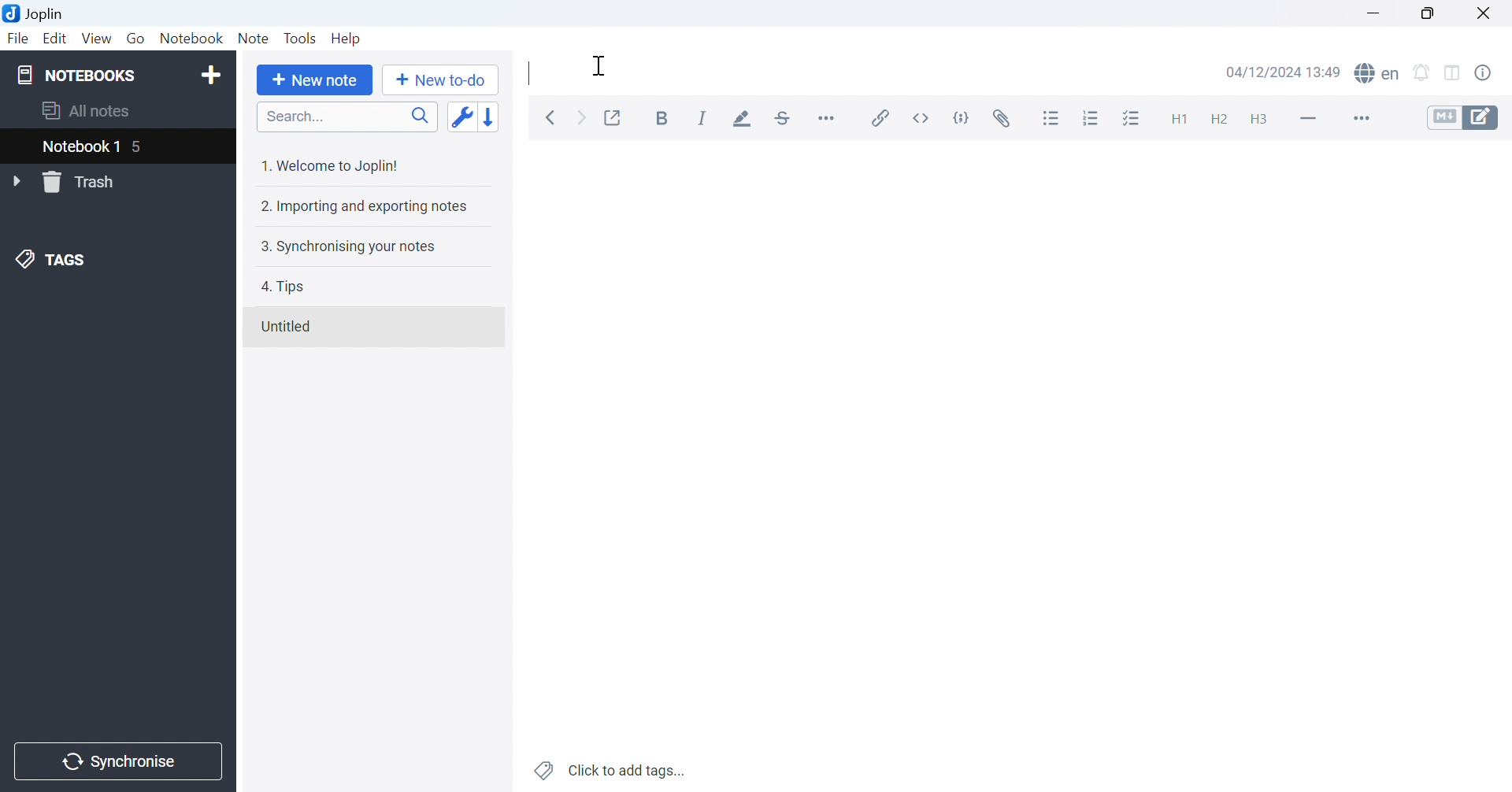 Image resolution: width=1512 pixels, height=792 pixels. Describe the element at coordinates (552, 119) in the screenshot. I see `Back` at that location.